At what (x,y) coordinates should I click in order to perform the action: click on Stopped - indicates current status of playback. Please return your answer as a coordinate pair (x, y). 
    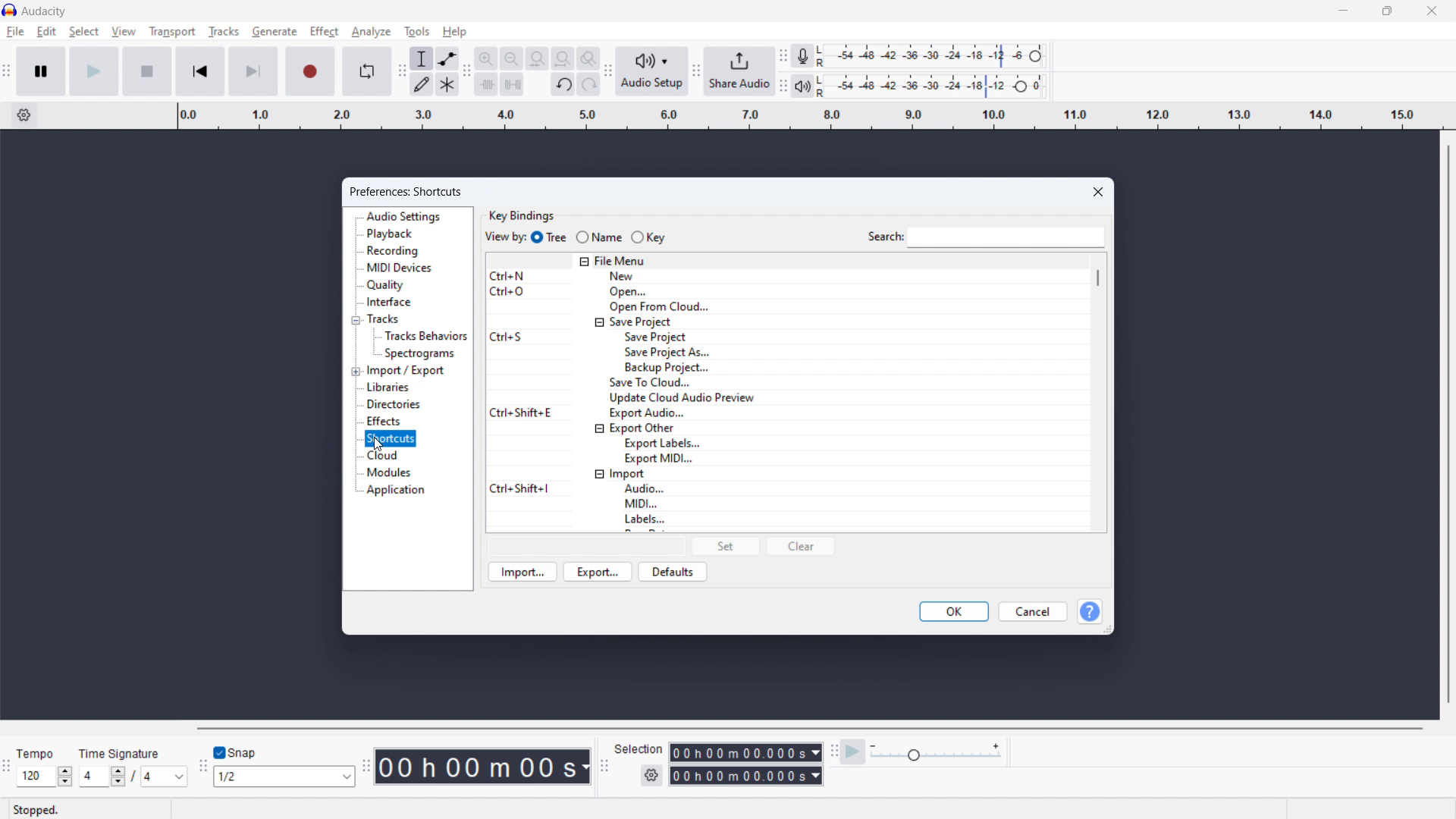
    Looking at the image, I should click on (87, 809).